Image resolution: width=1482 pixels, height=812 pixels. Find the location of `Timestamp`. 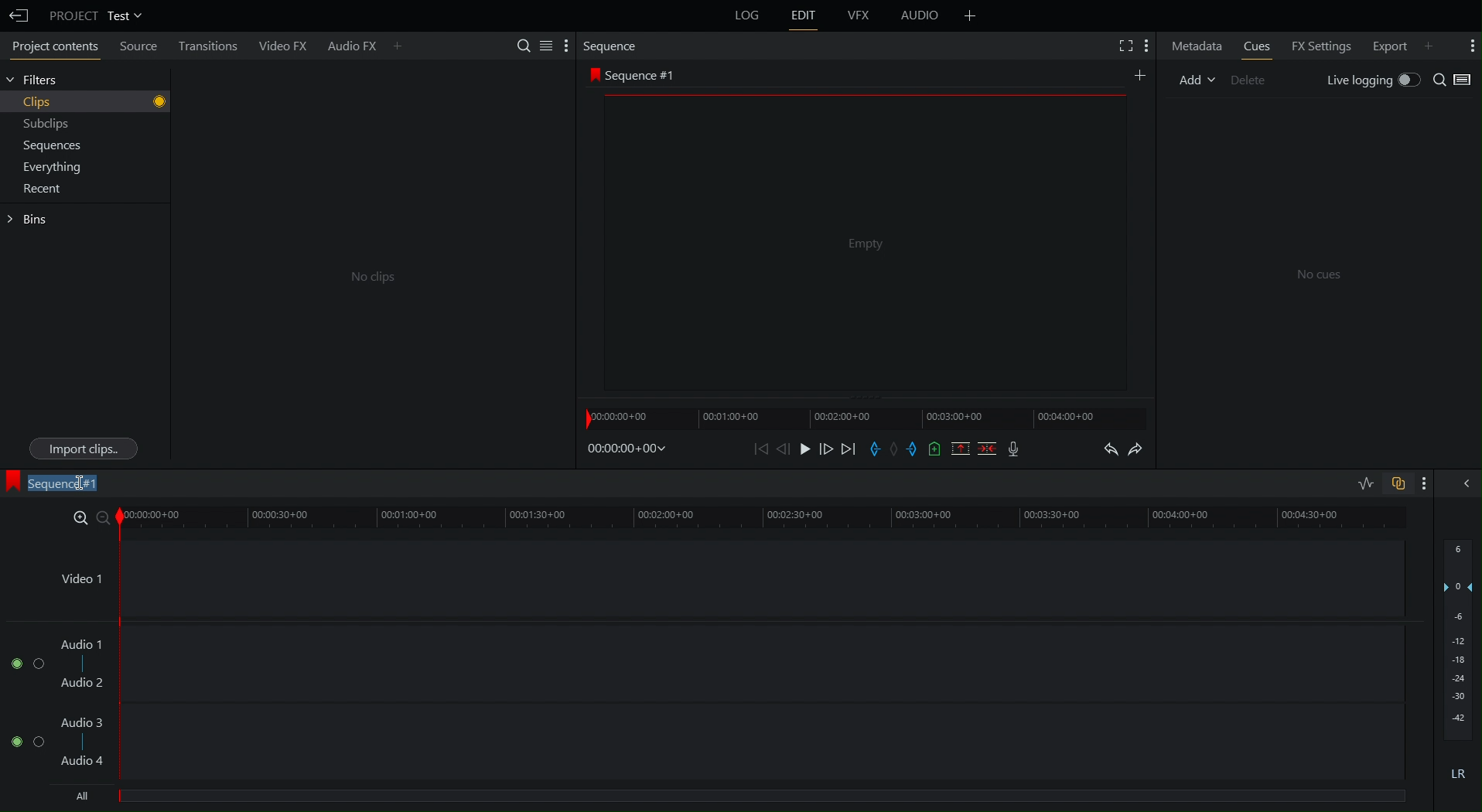

Timestamp is located at coordinates (625, 451).